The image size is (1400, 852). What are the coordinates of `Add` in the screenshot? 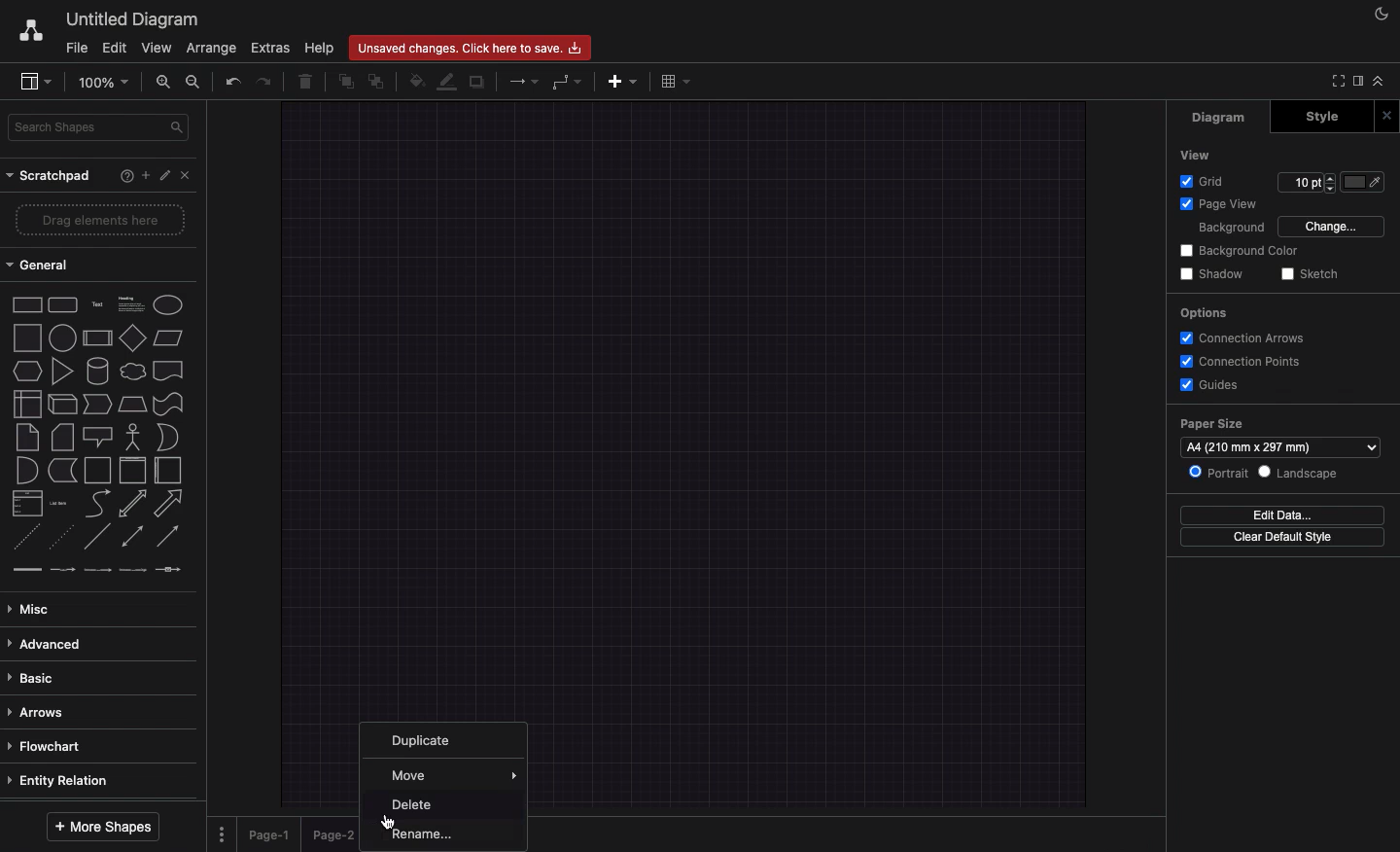 It's located at (623, 82).